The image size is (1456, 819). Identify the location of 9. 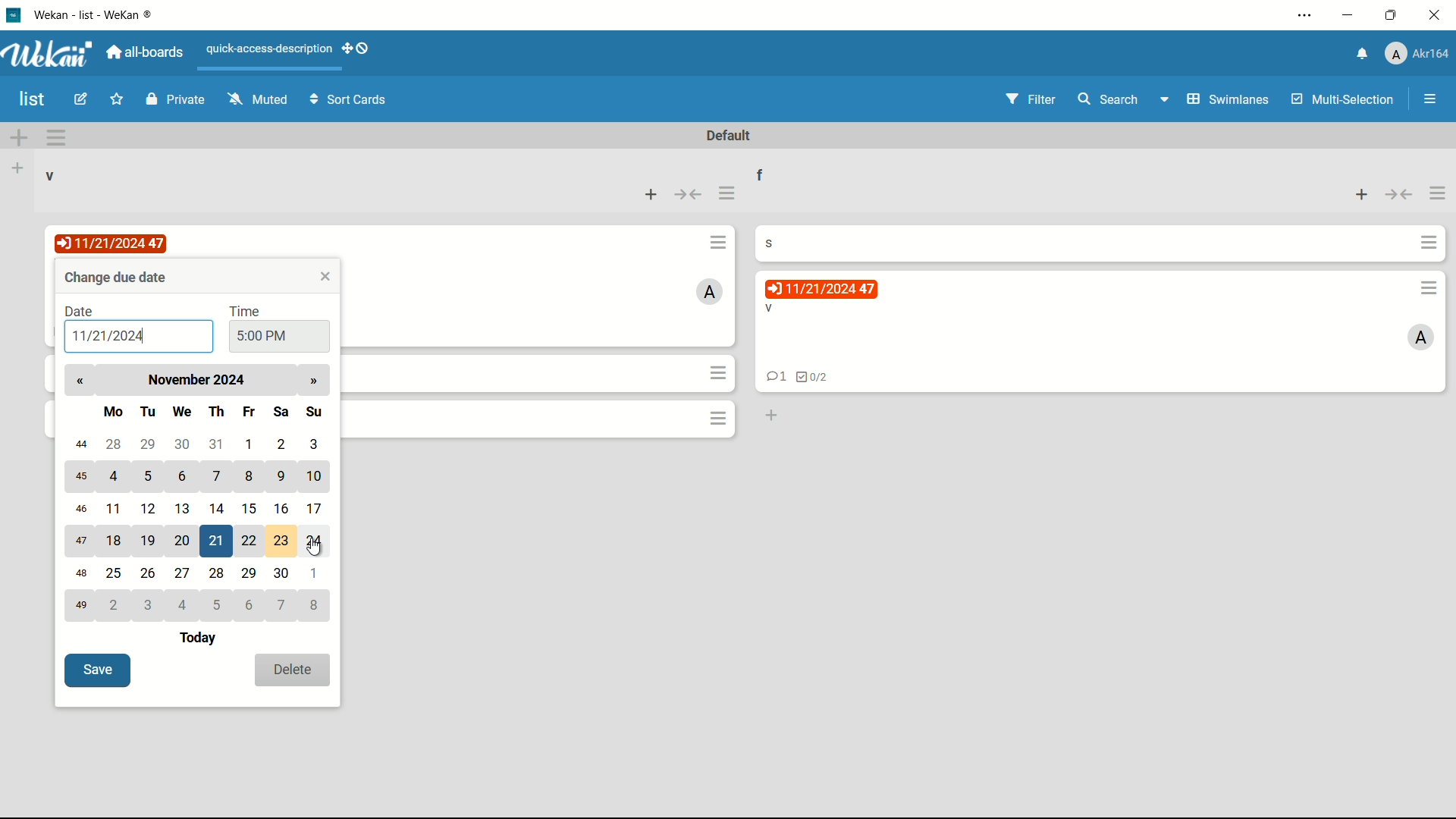
(279, 475).